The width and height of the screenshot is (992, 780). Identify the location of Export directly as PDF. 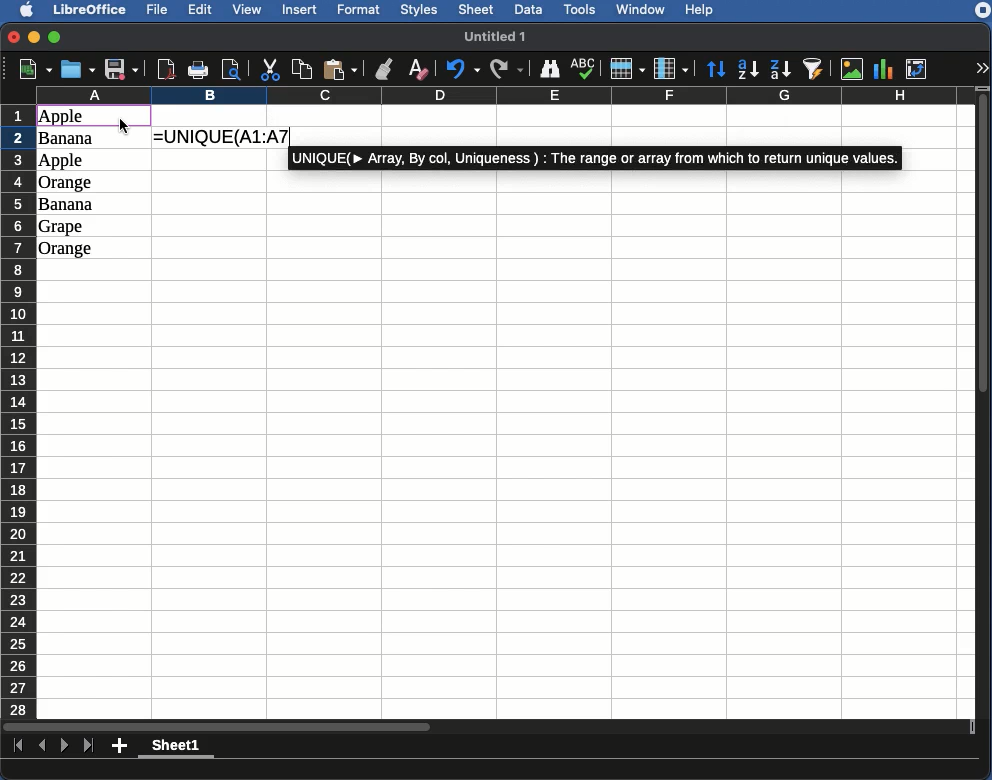
(167, 68).